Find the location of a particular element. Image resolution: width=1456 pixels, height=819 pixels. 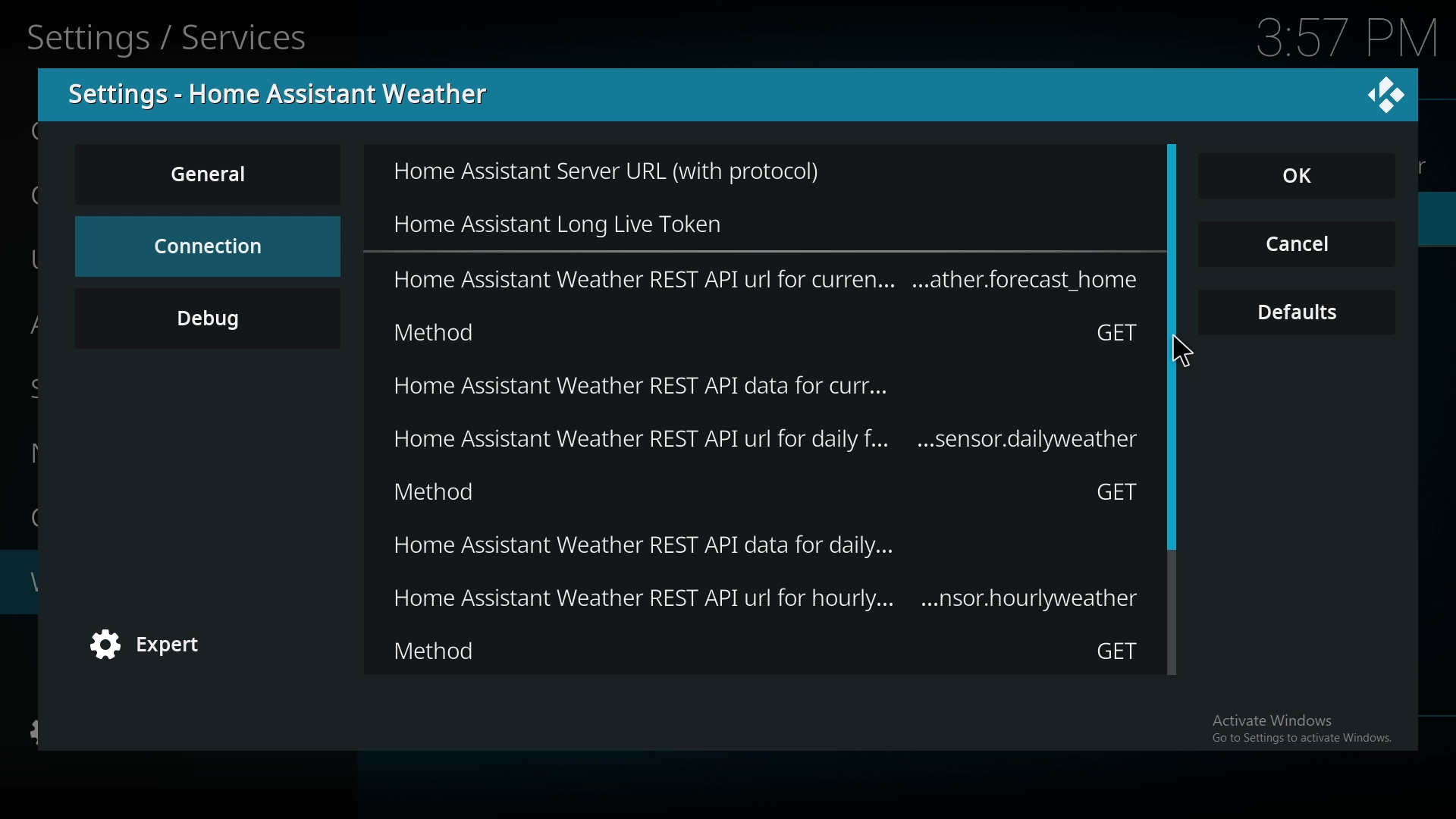

debug is located at coordinates (208, 318).